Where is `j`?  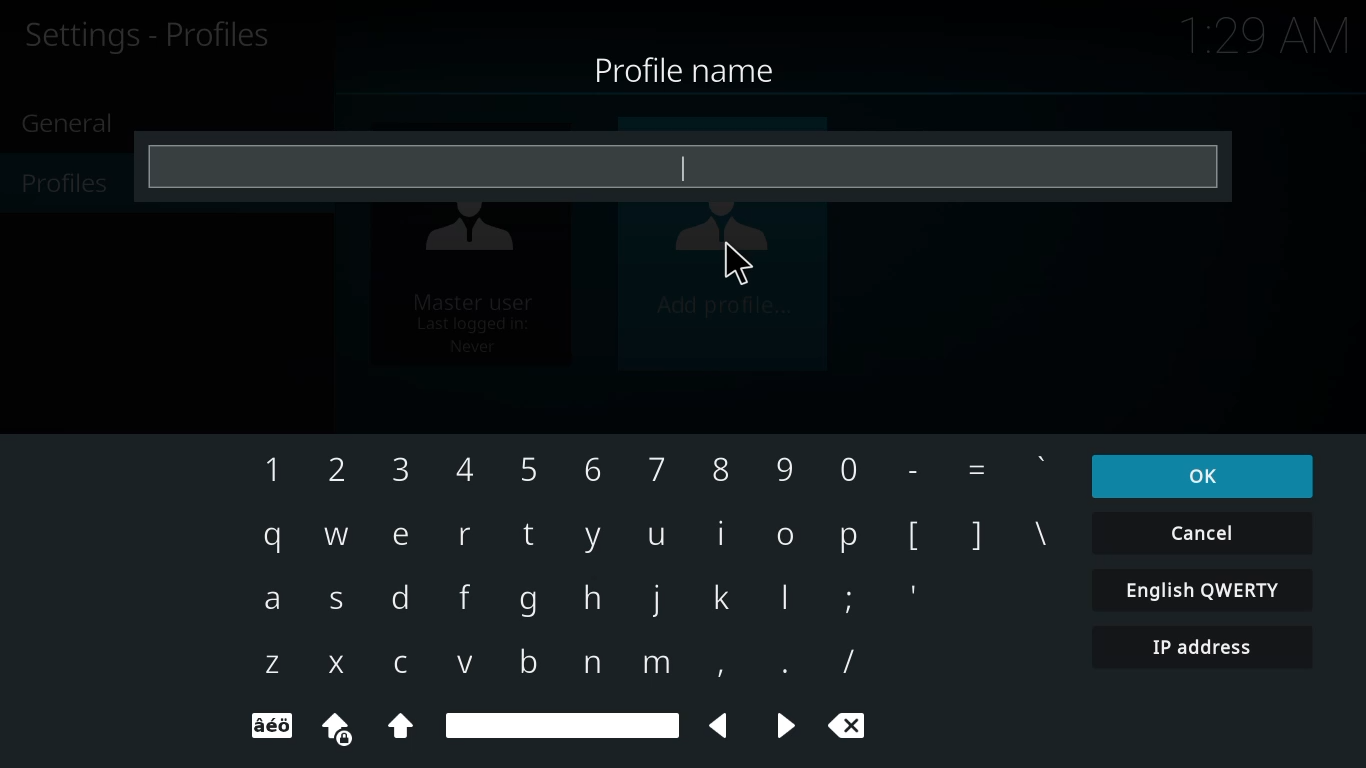
j is located at coordinates (660, 600).